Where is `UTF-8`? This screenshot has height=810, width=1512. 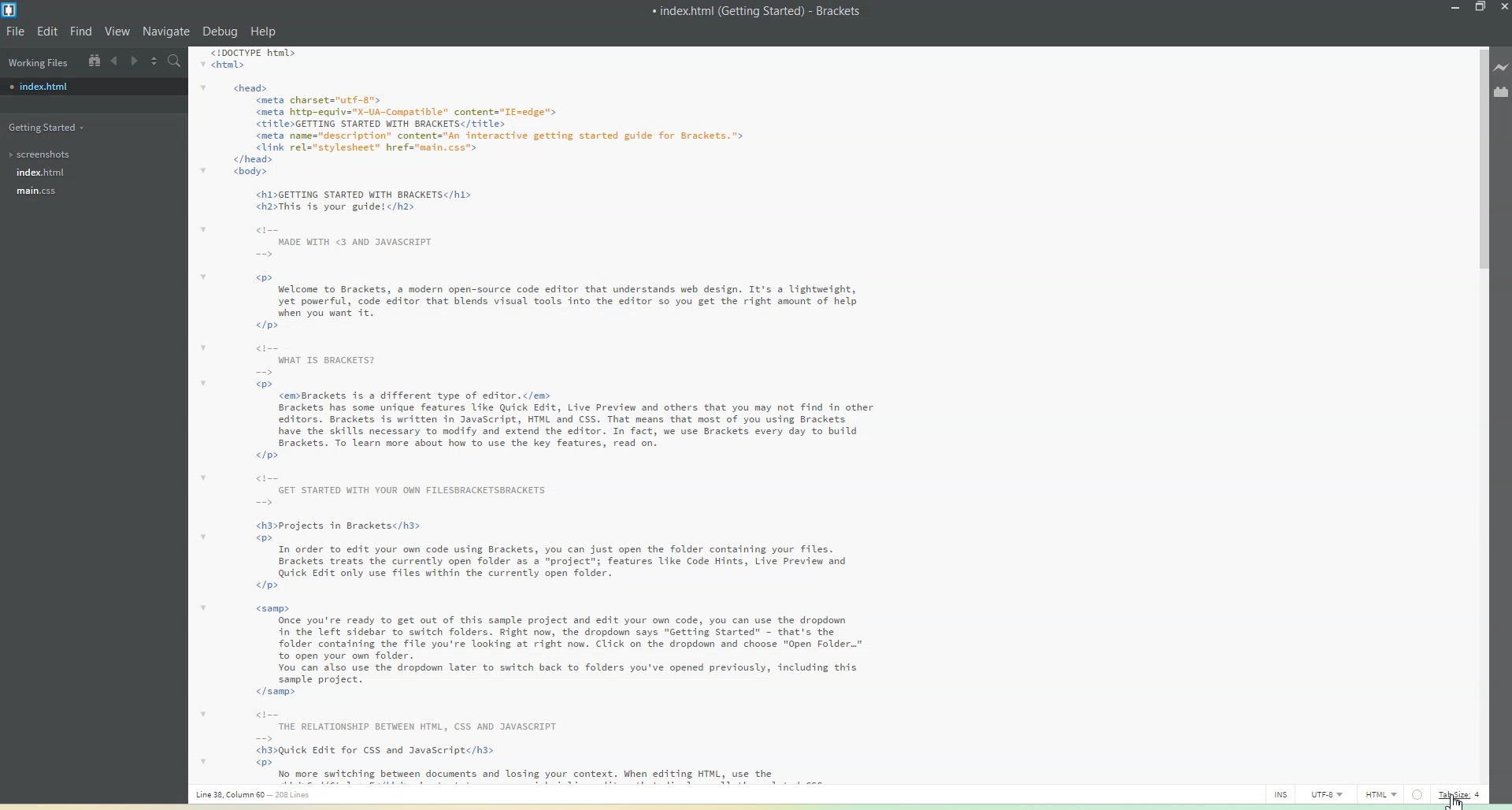
UTF-8 is located at coordinates (1326, 793).